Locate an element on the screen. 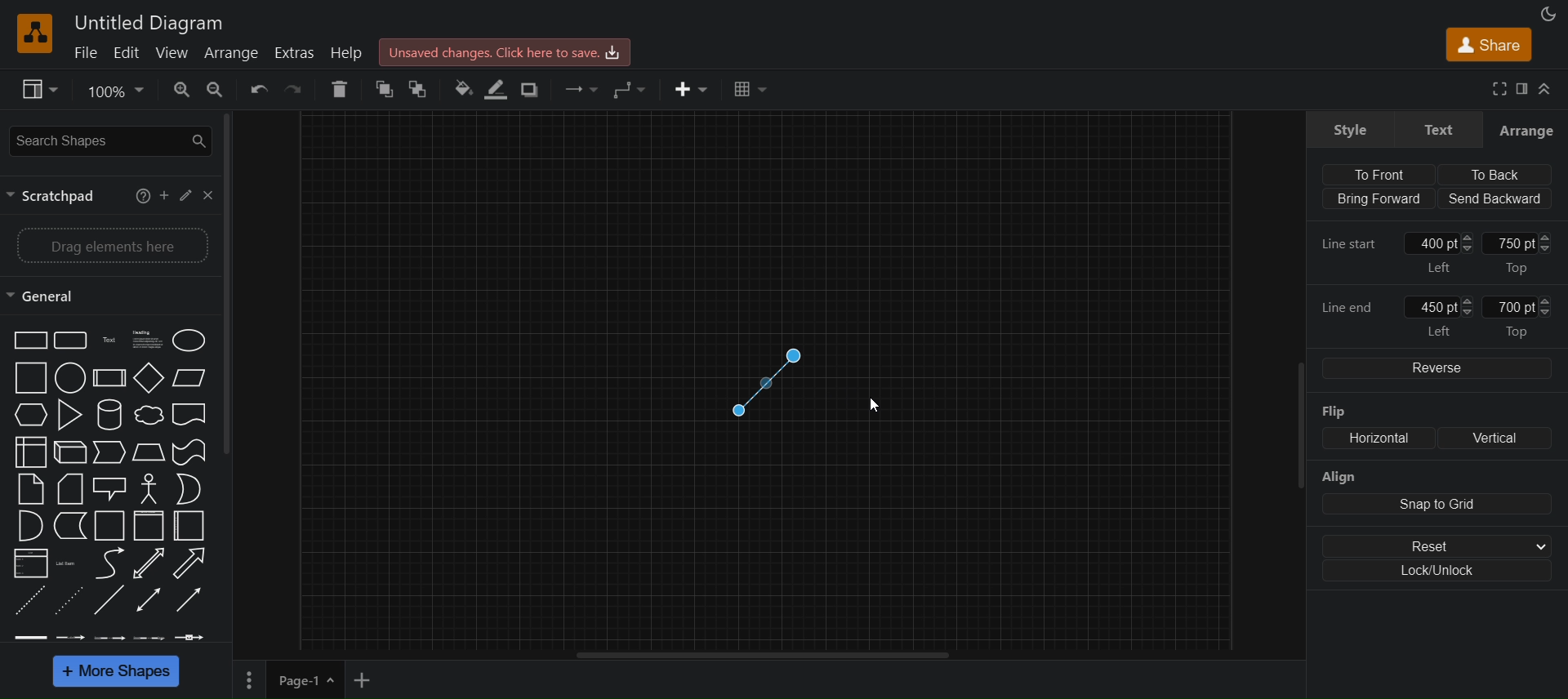 Image resolution: width=1568 pixels, height=699 pixels. connector 5 is located at coordinates (193, 636).